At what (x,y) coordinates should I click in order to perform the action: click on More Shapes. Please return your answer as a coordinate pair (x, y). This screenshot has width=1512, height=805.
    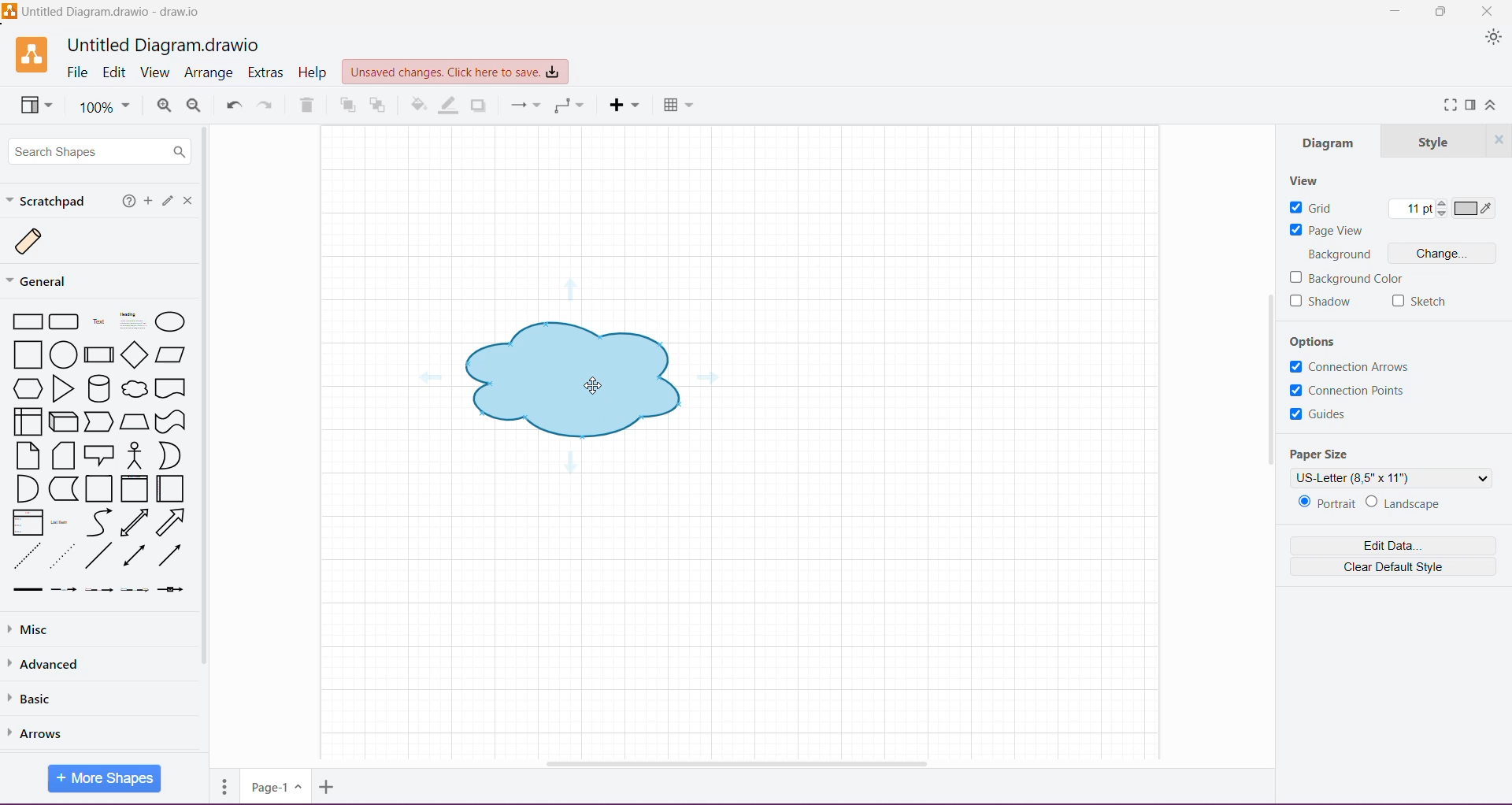
    Looking at the image, I should click on (104, 780).